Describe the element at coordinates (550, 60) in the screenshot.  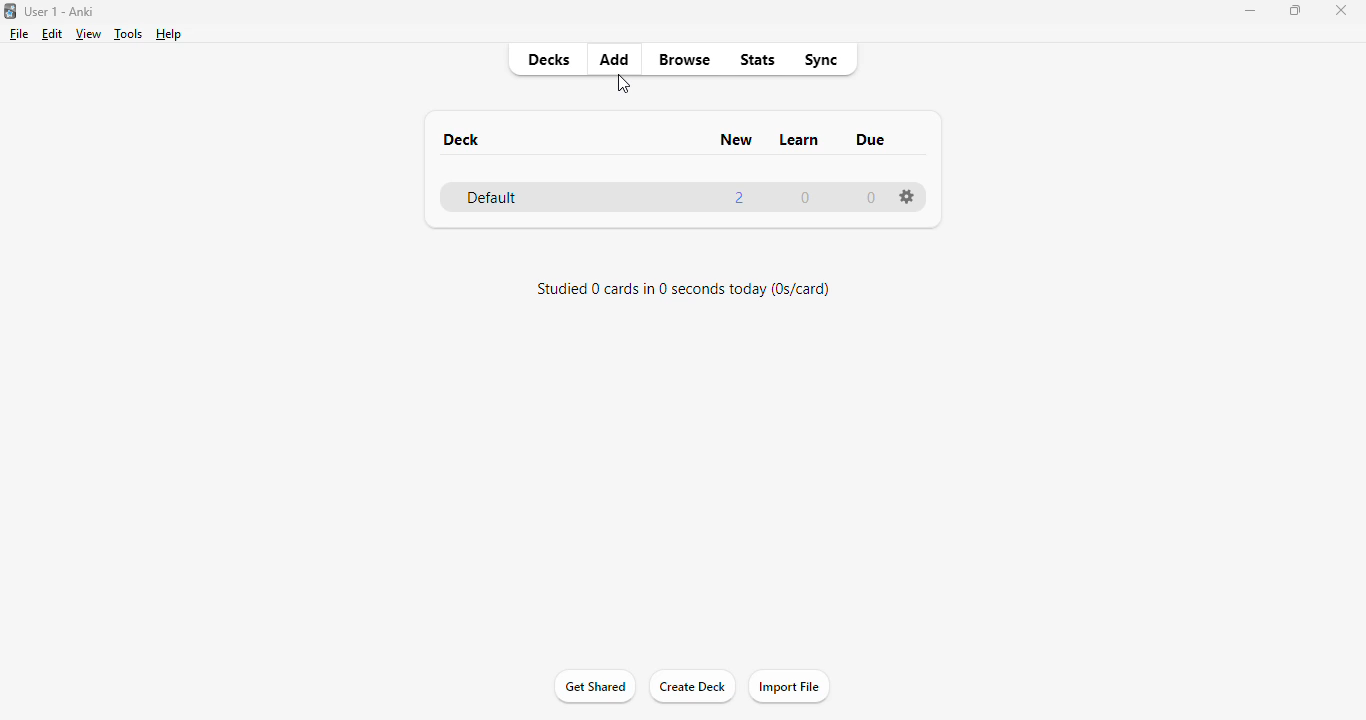
I see `decks` at that location.